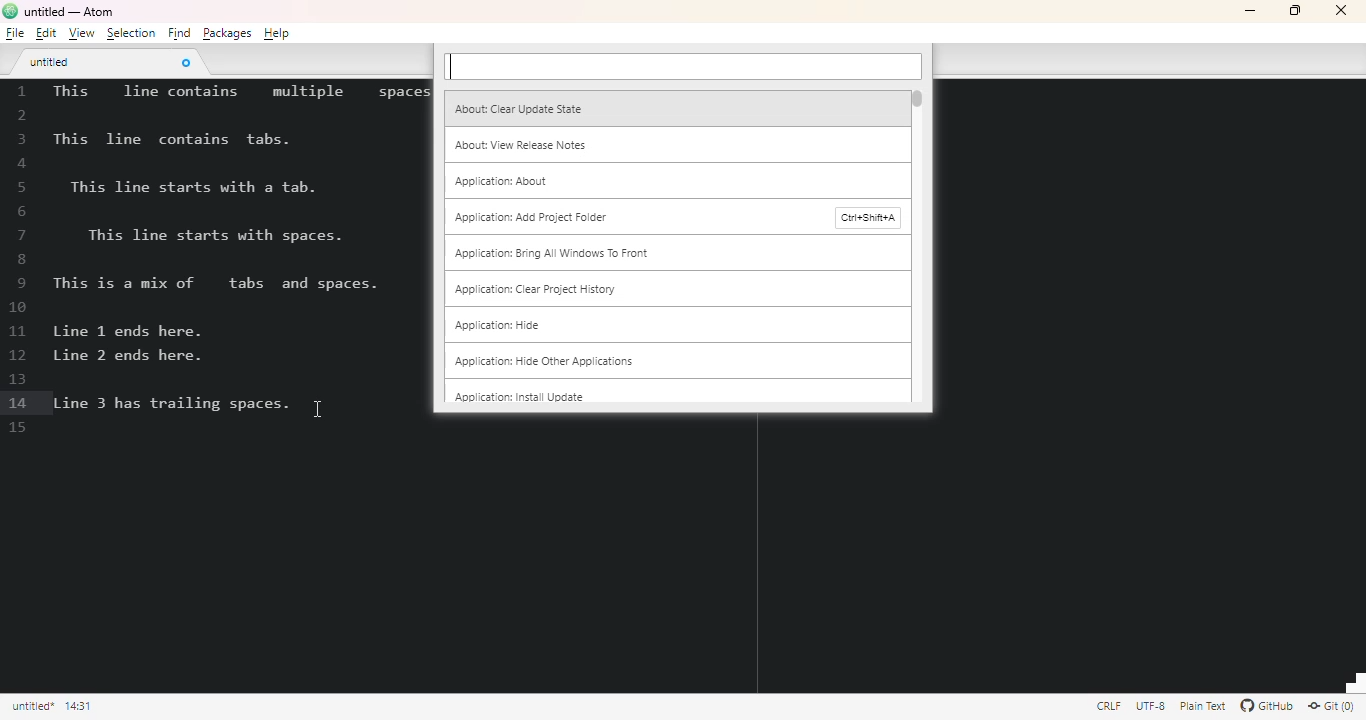 The width and height of the screenshot is (1366, 720). I want to click on untitled tab, so click(51, 61).